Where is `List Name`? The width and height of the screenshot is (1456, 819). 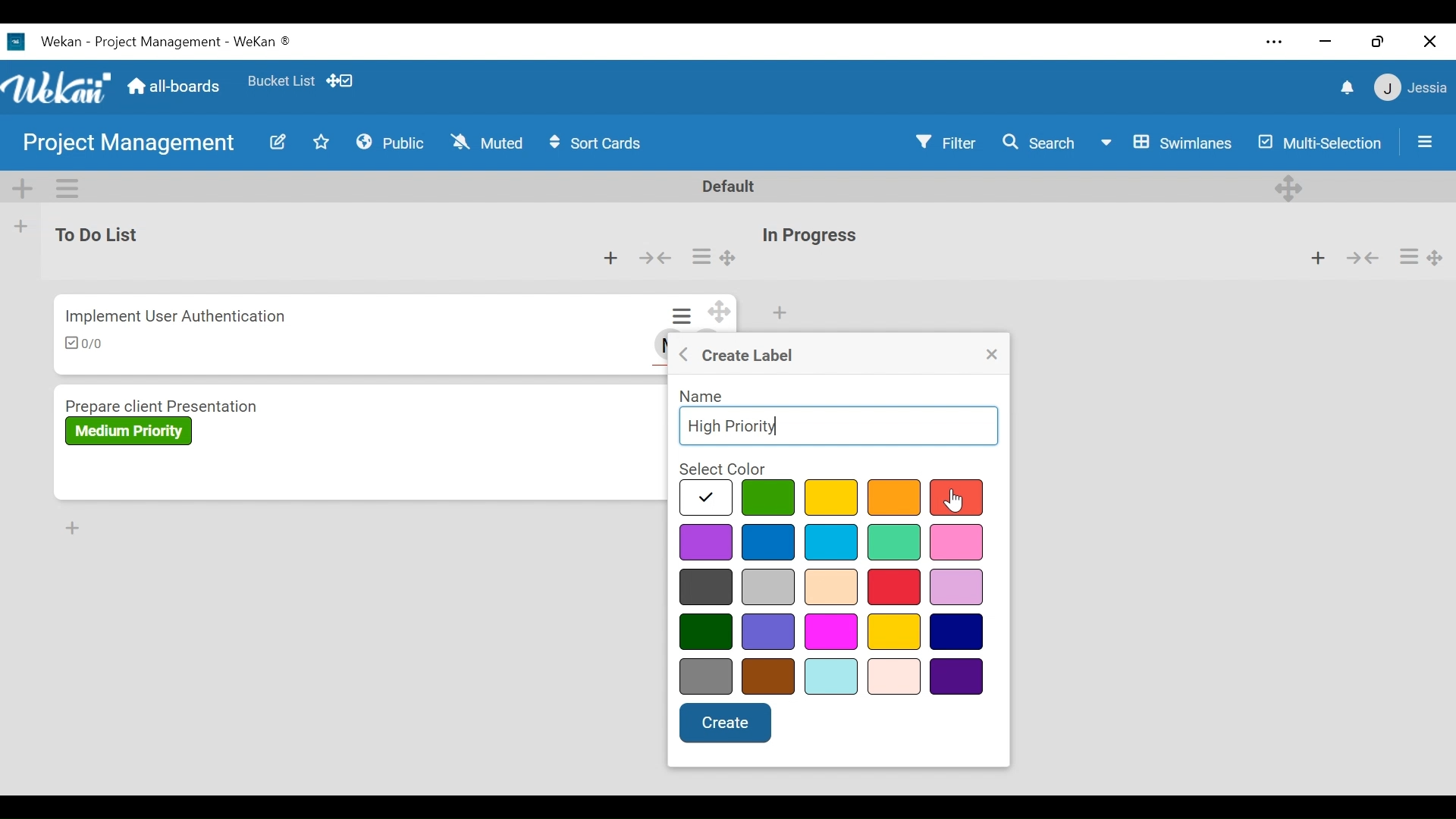 List Name is located at coordinates (94, 234).